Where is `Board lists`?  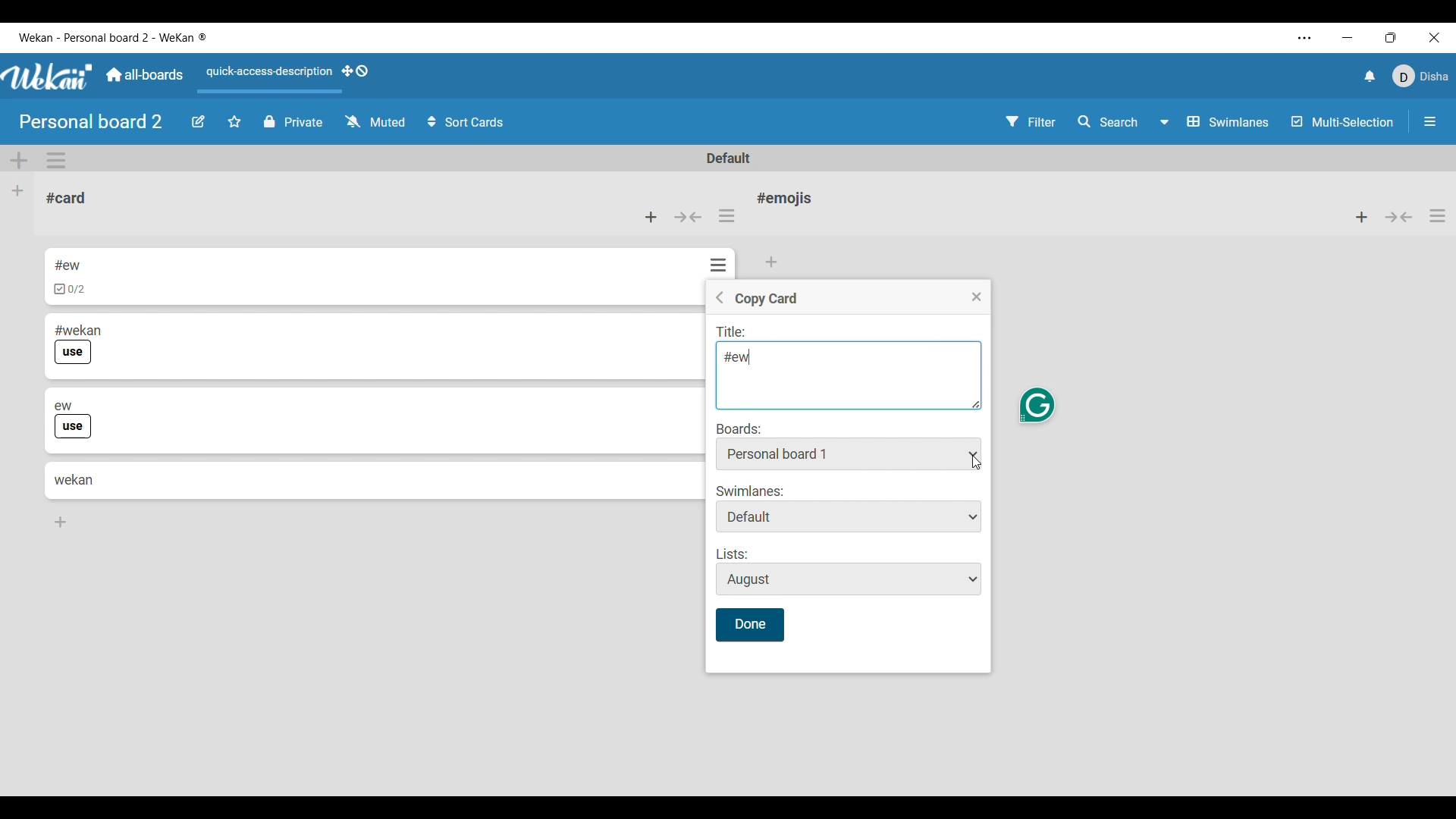
Board lists is located at coordinates (849, 453).